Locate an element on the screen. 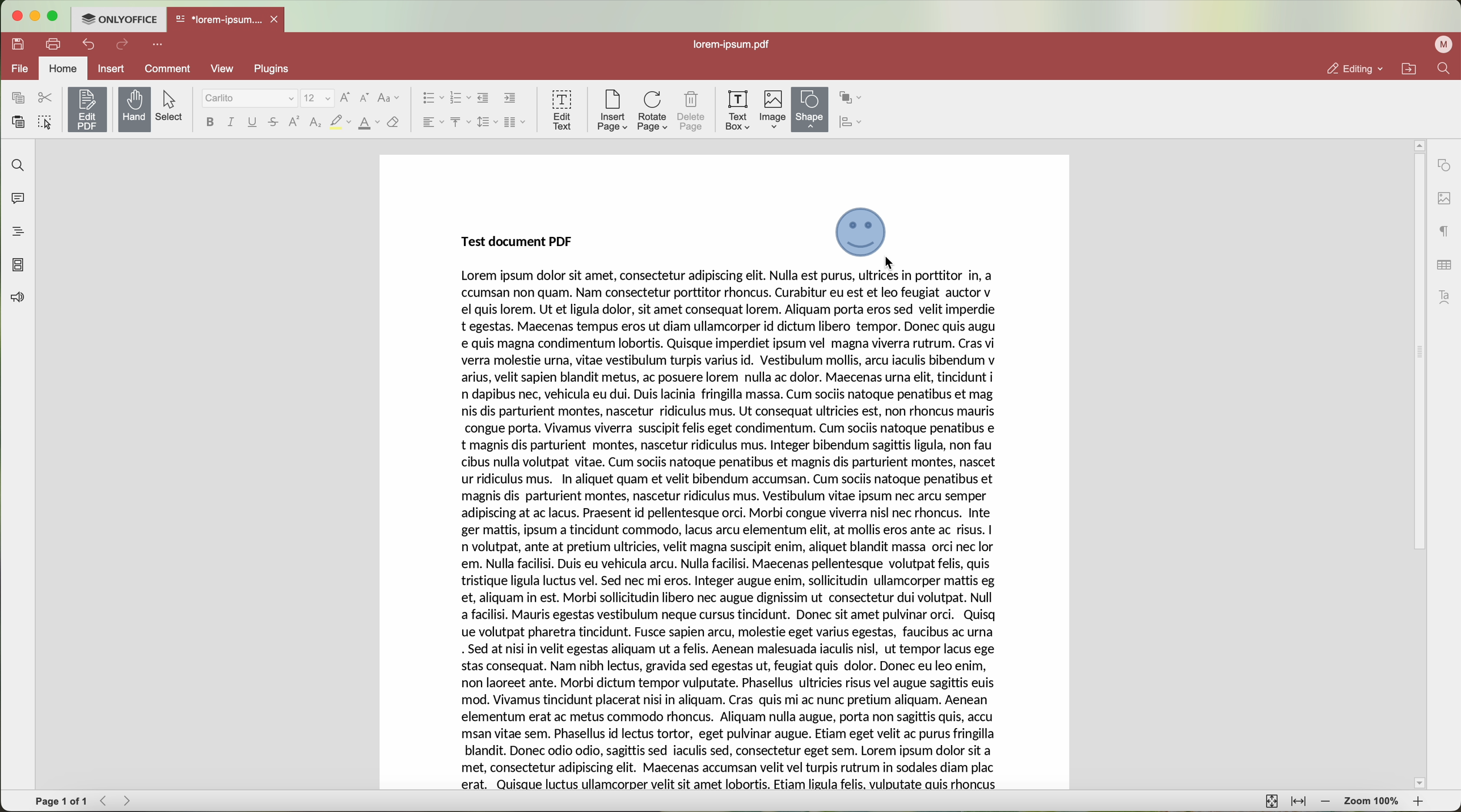  select all is located at coordinates (47, 124).